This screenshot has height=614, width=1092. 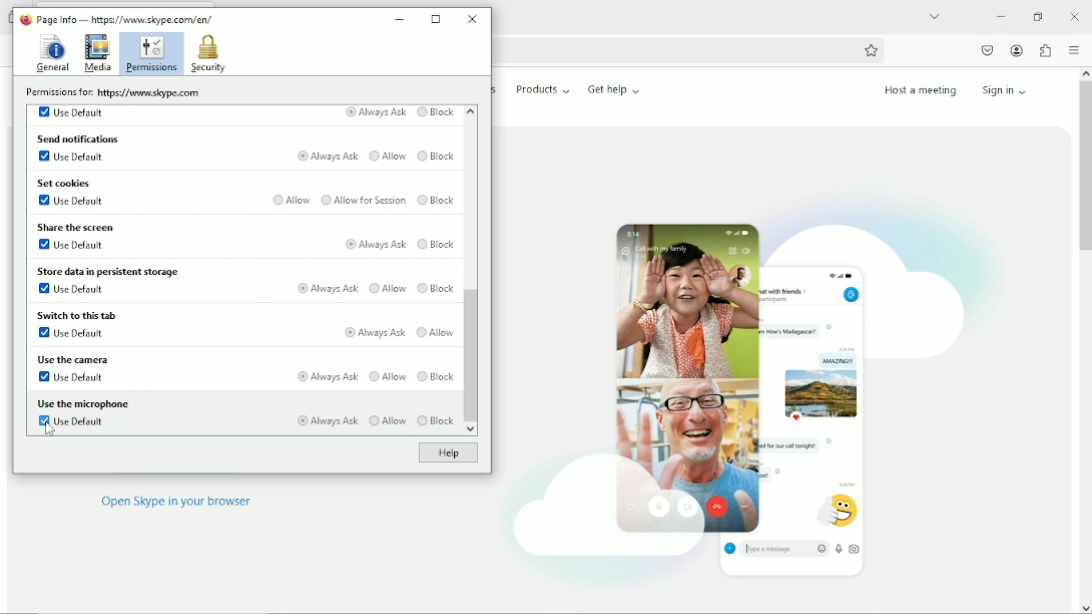 What do you see at coordinates (745, 387) in the screenshot?
I see `Videocall/chat` at bounding box center [745, 387].